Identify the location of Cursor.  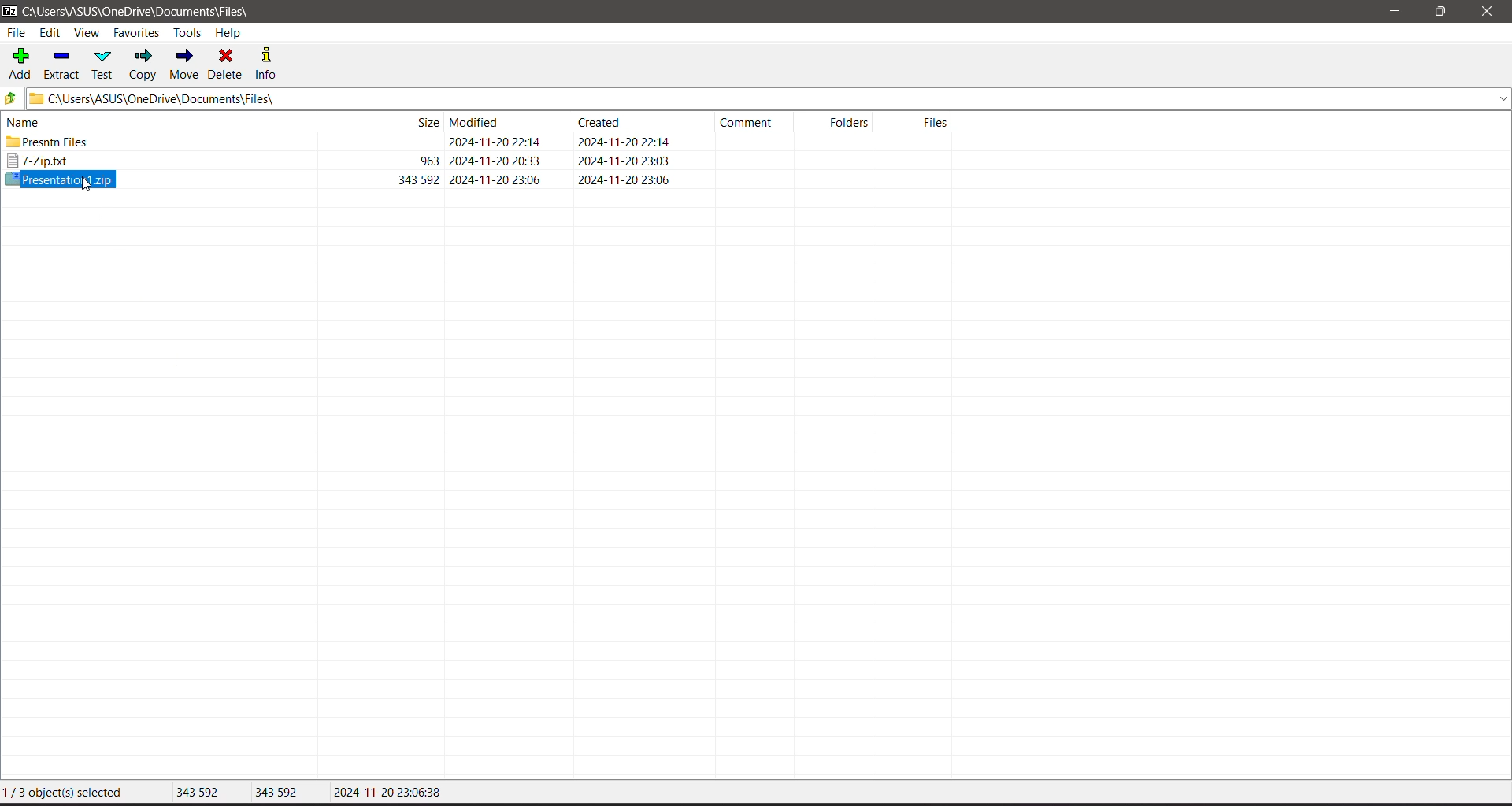
(86, 183).